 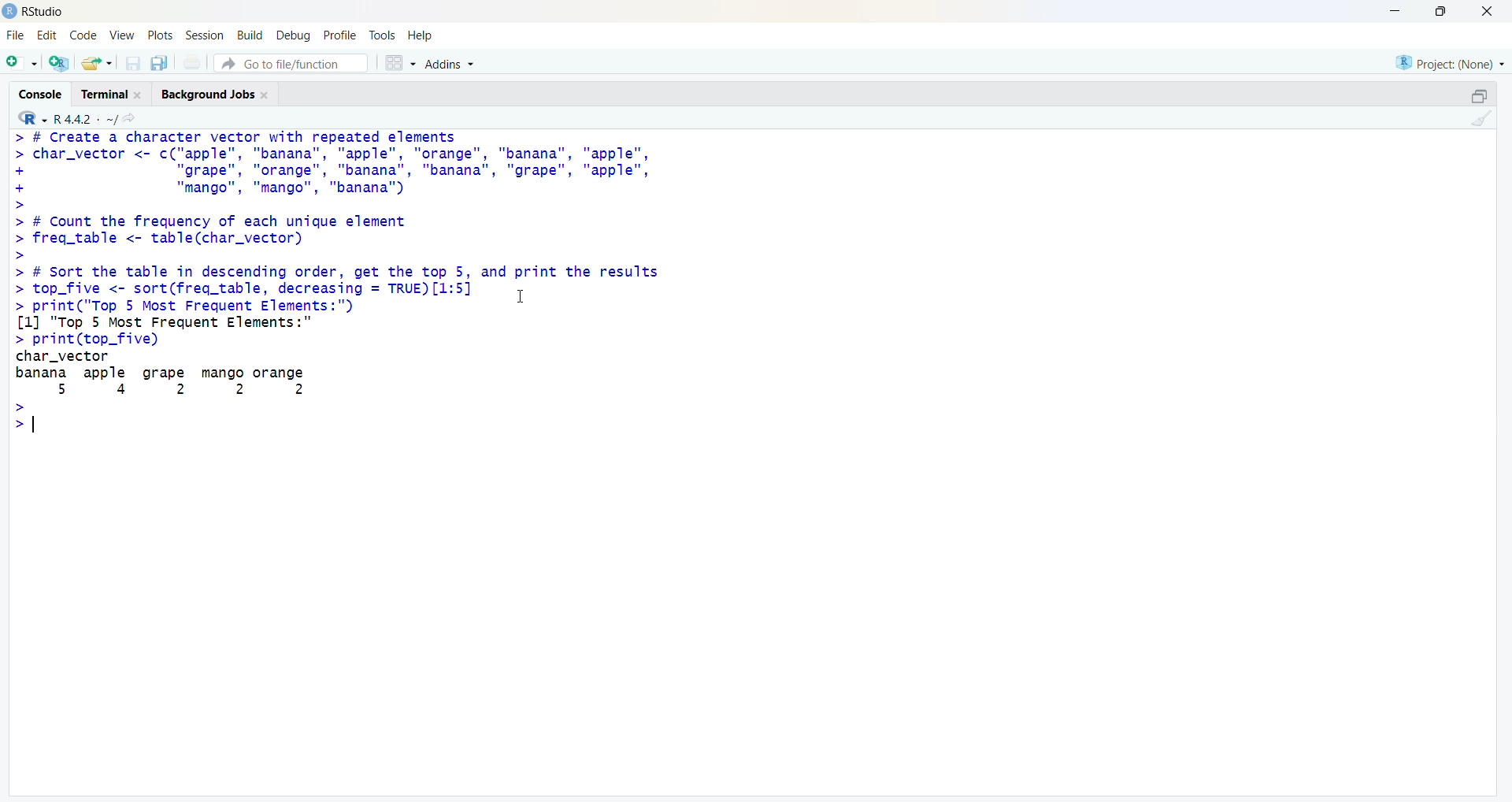 What do you see at coordinates (46, 35) in the screenshot?
I see `Edit` at bounding box center [46, 35].